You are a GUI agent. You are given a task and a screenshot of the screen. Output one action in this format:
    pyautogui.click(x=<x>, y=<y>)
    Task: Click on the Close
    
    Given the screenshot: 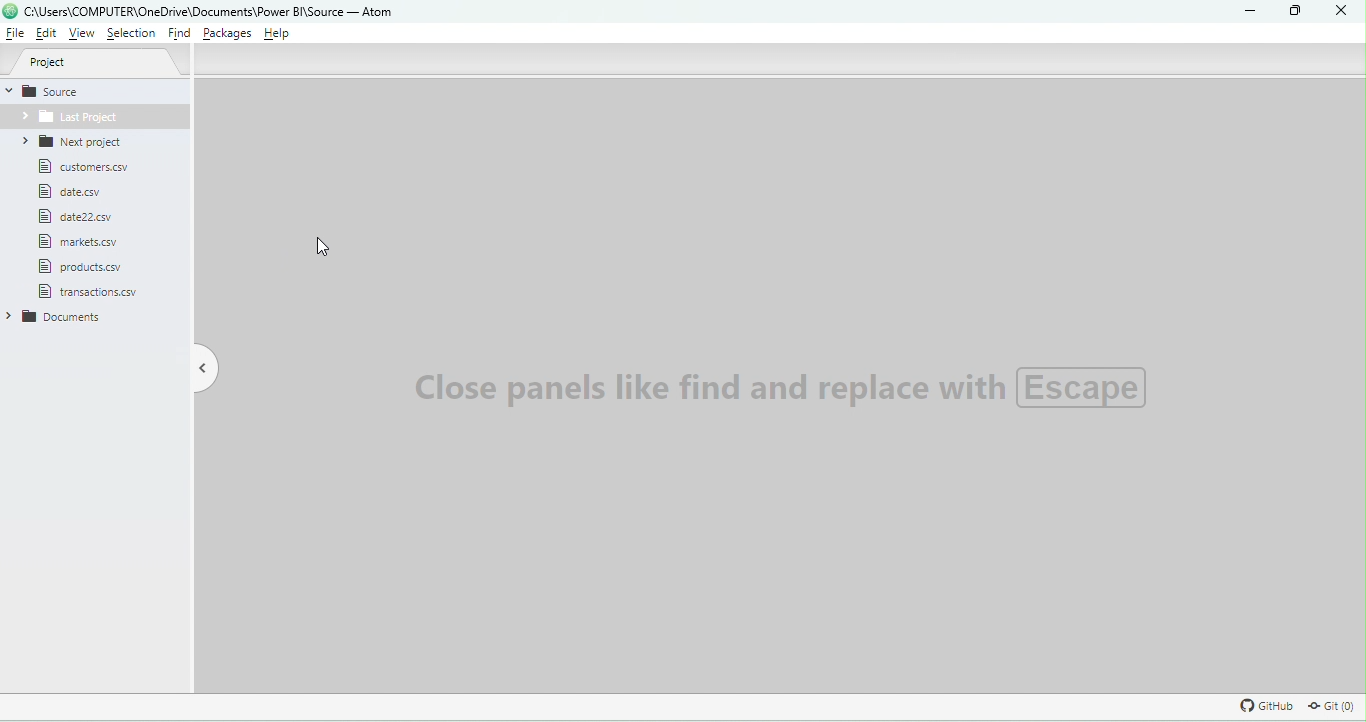 What is the action you would take?
    pyautogui.click(x=1343, y=15)
    